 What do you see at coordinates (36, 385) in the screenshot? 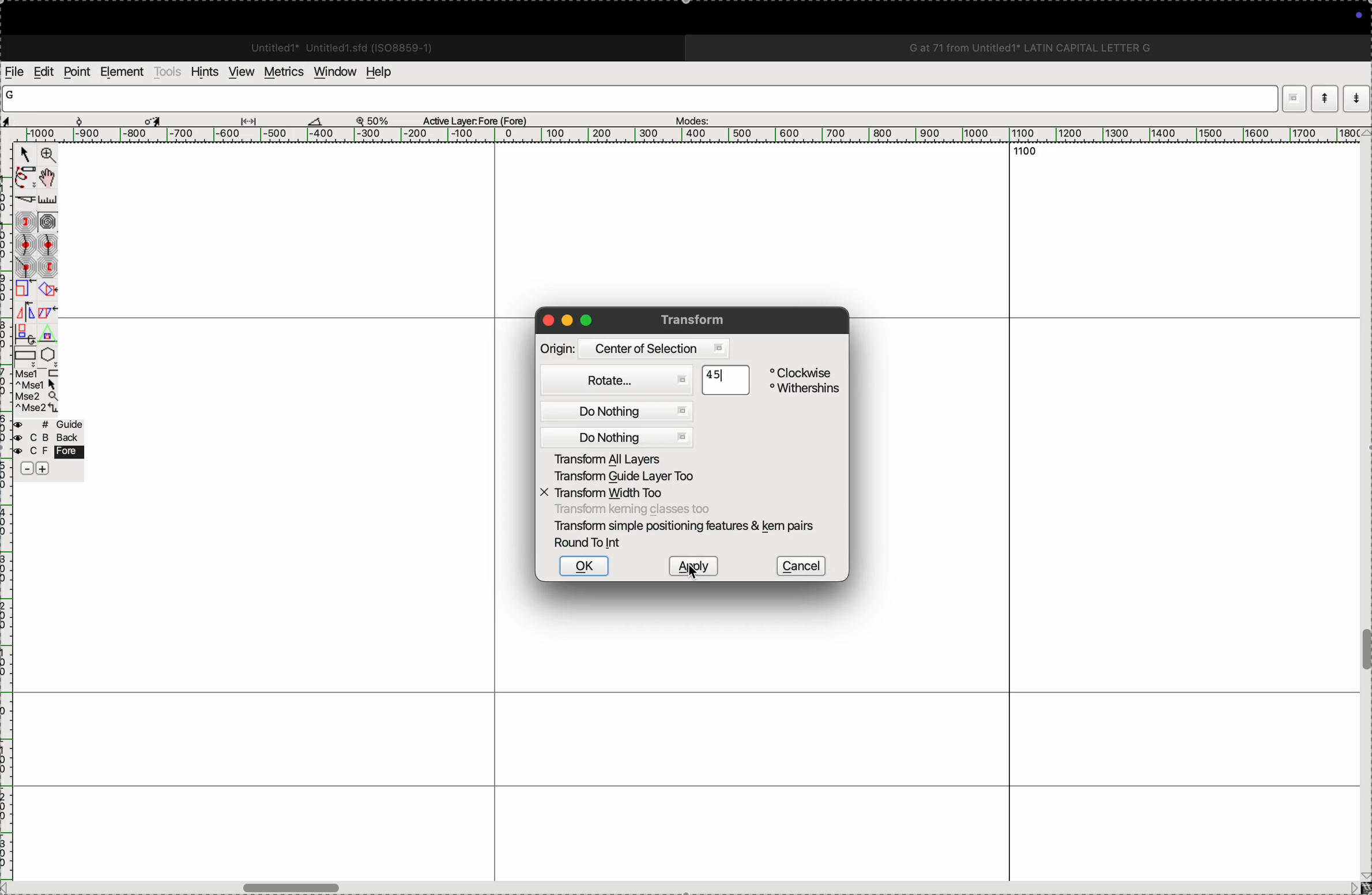
I see `left mouse button + Ctrl` at bounding box center [36, 385].